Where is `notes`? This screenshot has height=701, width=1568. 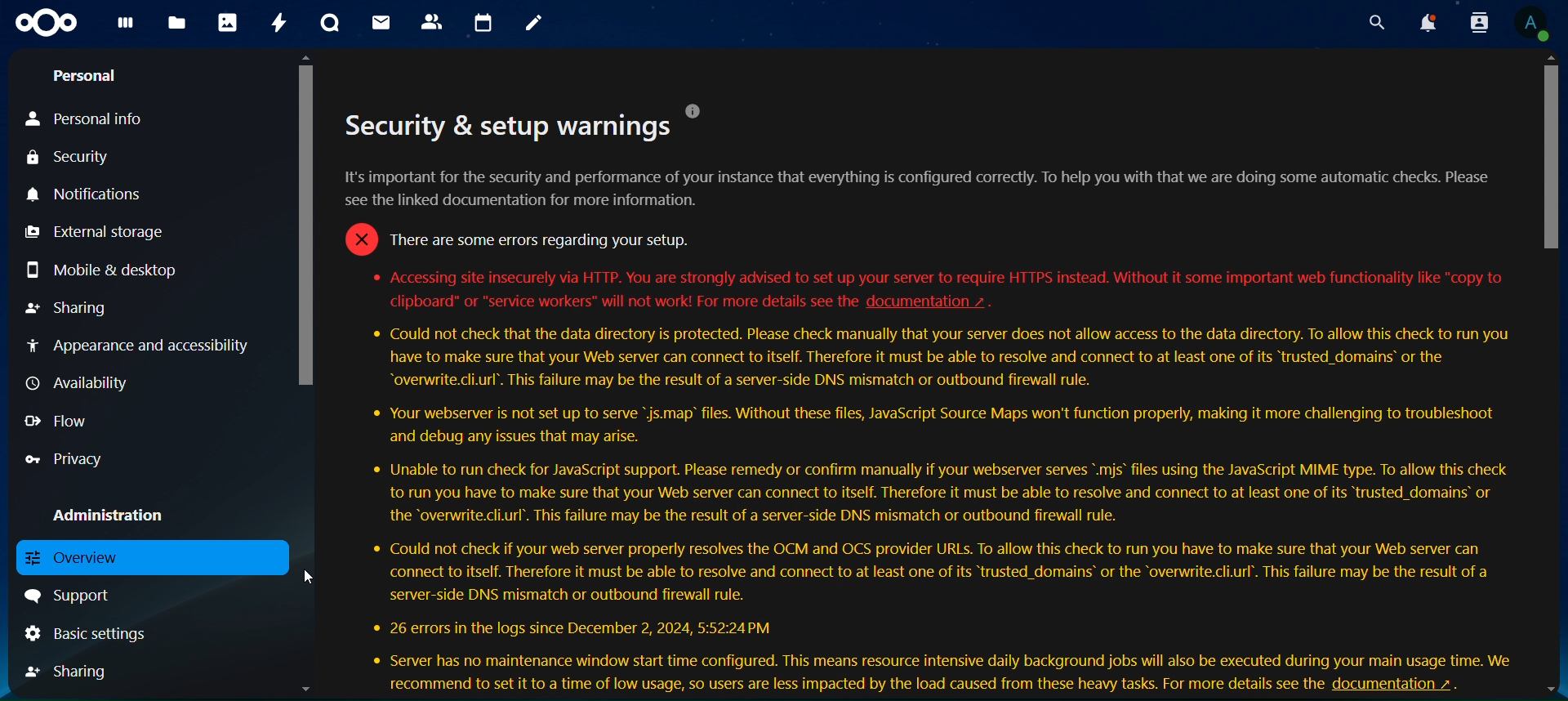 notes is located at coordinates (532, 23).